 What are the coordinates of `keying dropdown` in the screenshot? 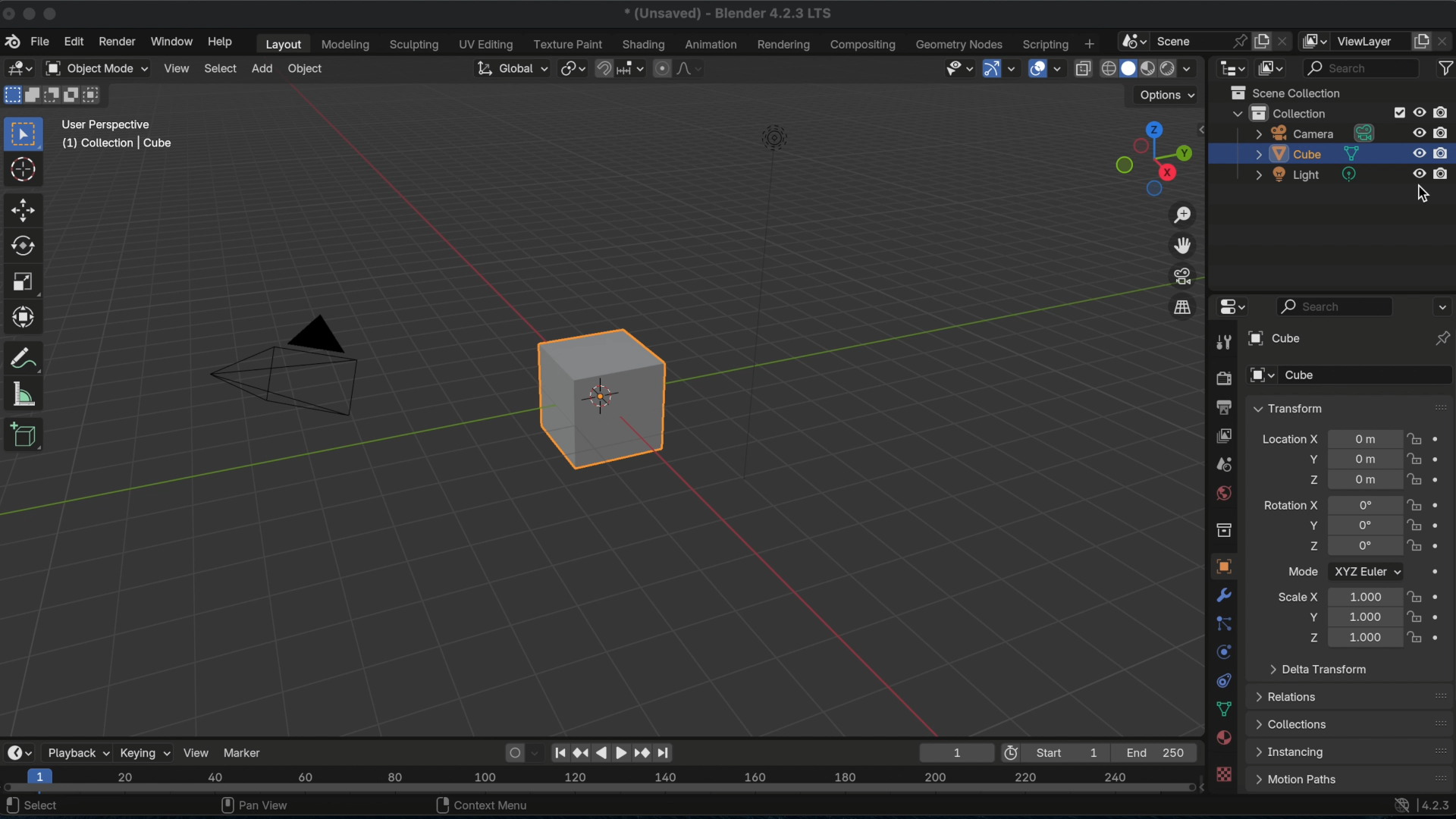 It's located at (145, 752).